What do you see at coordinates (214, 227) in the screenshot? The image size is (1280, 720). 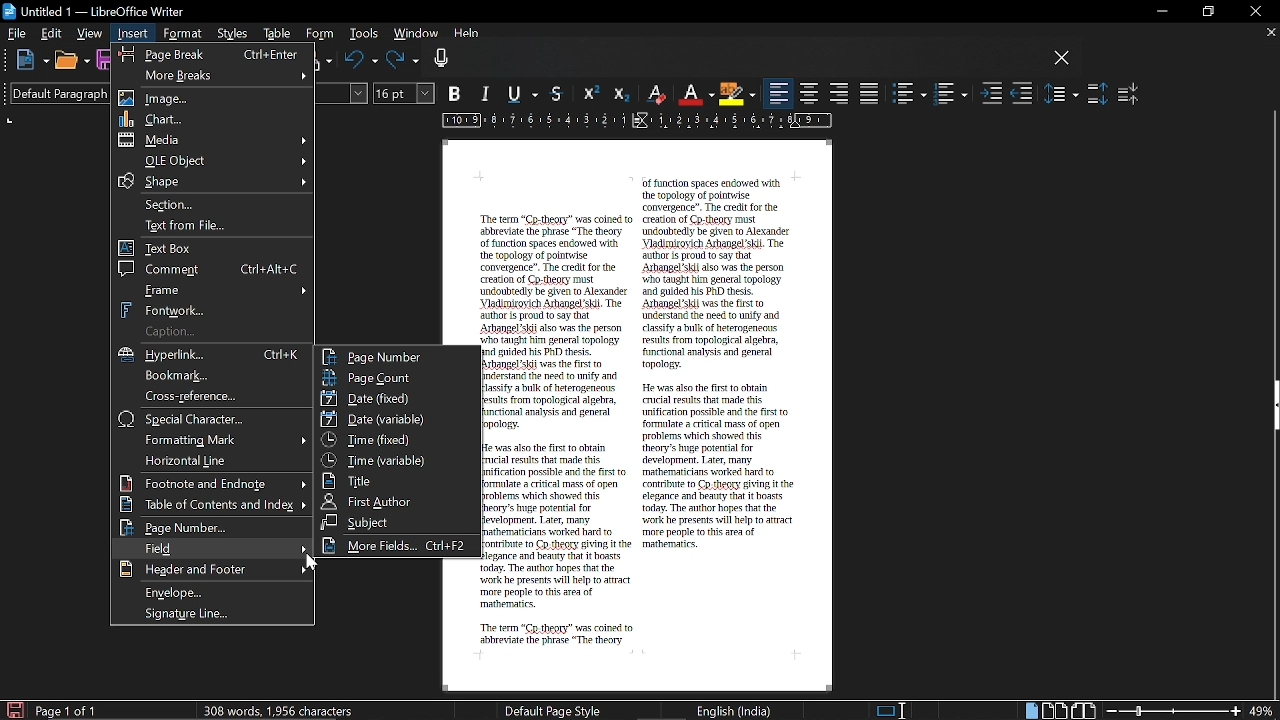 I see `text from file` at bounding box center [214, 227].